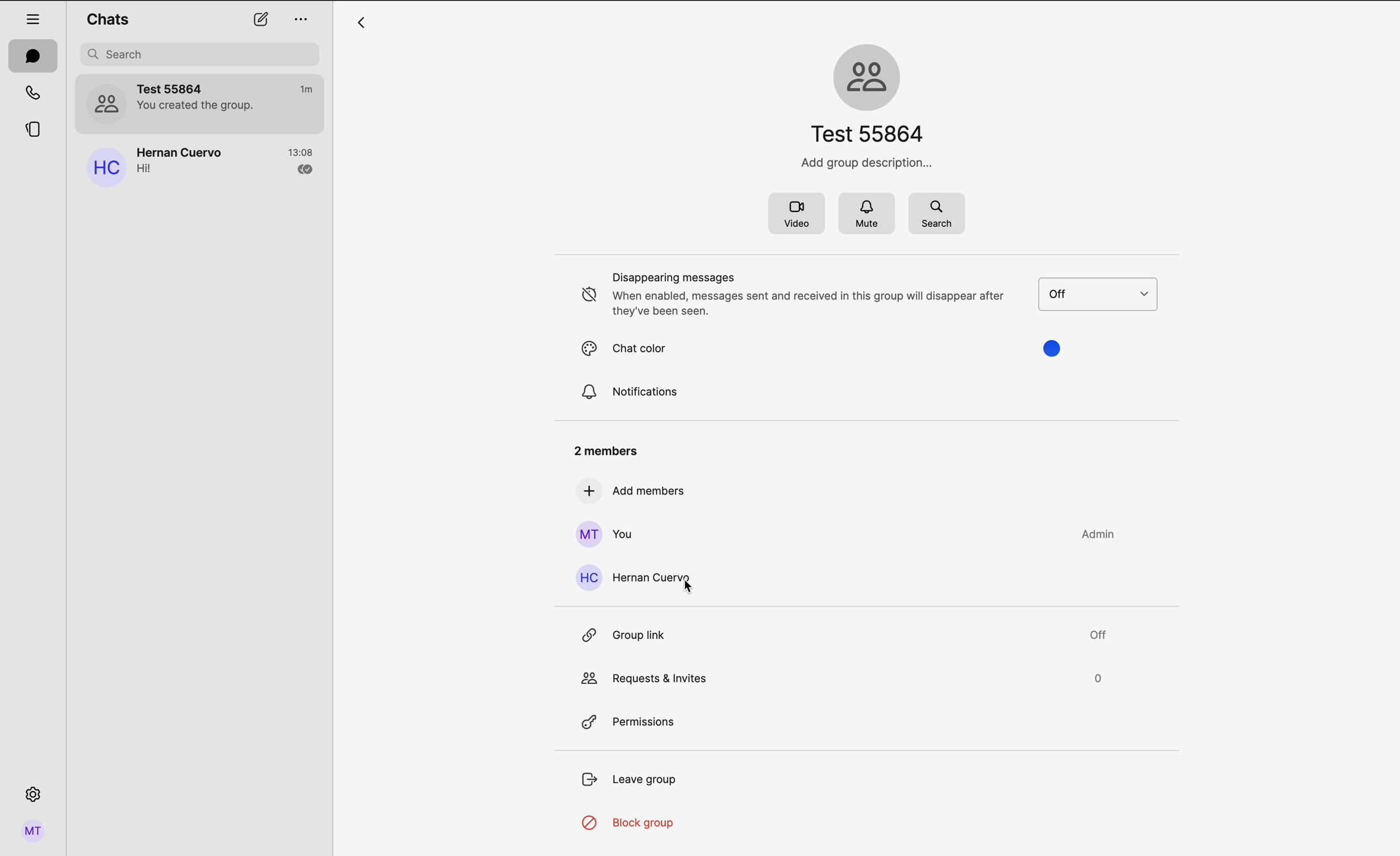 The image size is (1400, 856). Describe the element at coordinates (866, 212) in the screenshot. I see `mute` at that location.